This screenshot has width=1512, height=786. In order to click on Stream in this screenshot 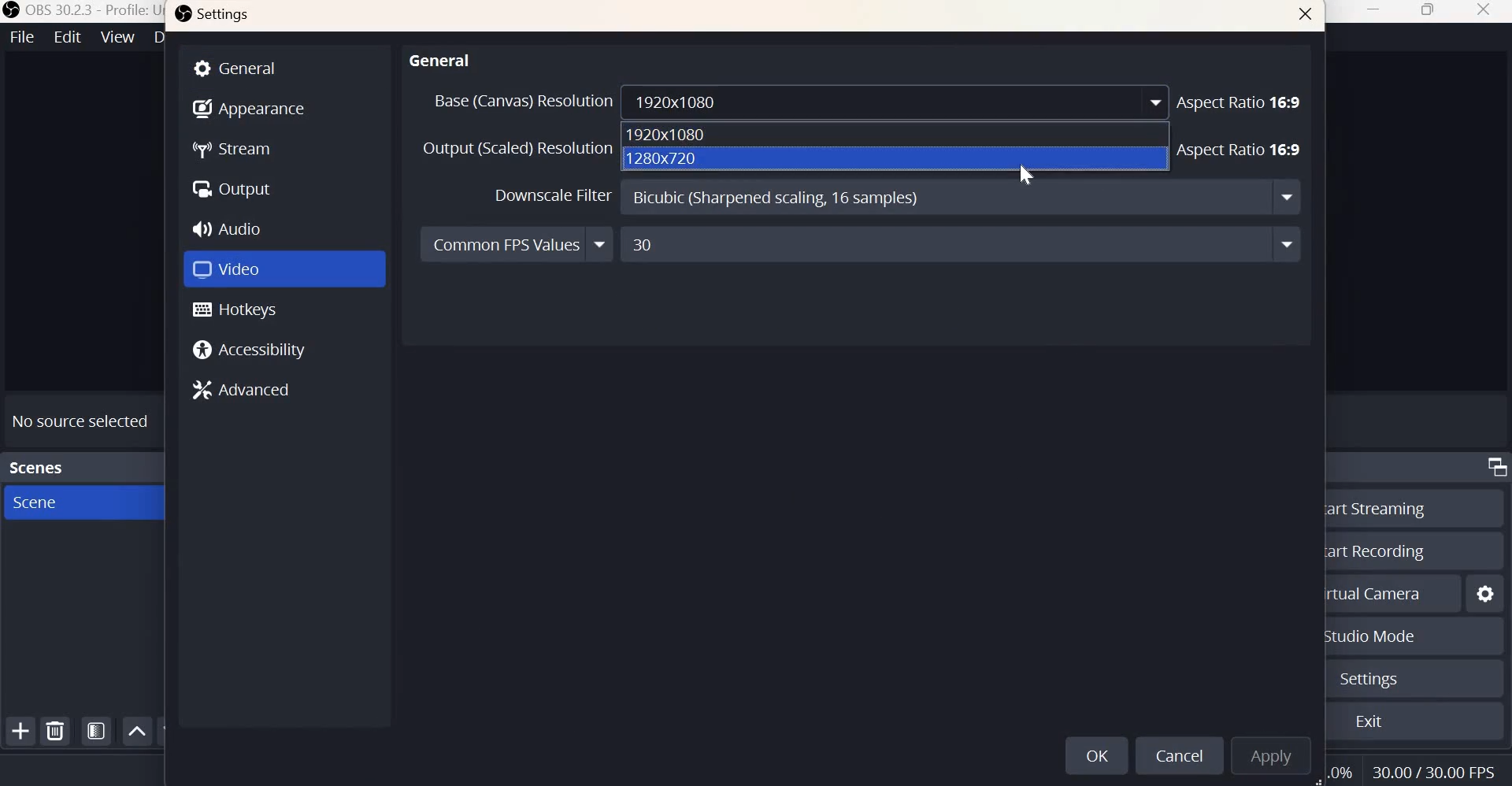, I will do `click(235, 150)`.